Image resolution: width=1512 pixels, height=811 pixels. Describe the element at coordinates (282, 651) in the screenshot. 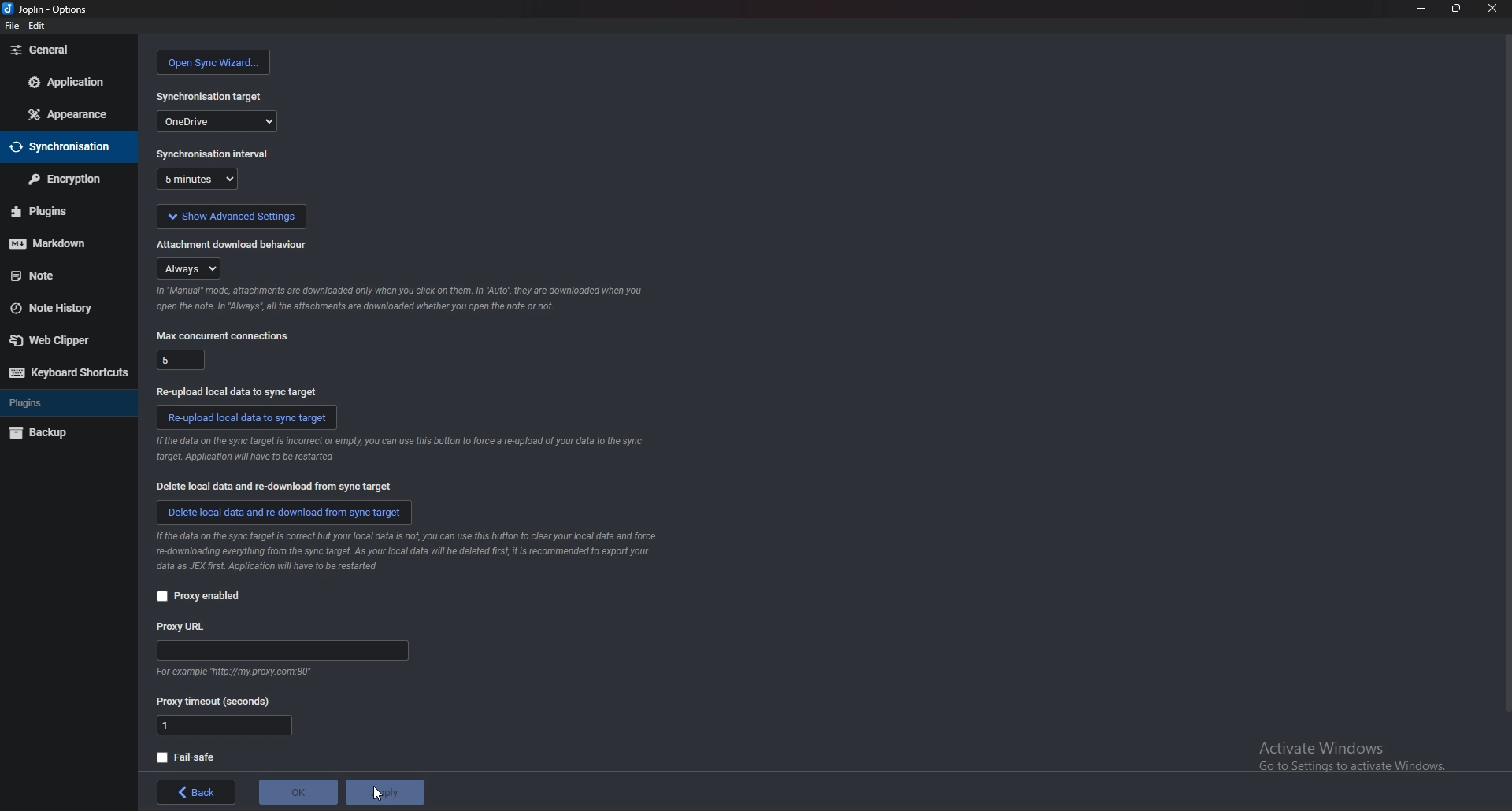

I see `proxy url` at that location.